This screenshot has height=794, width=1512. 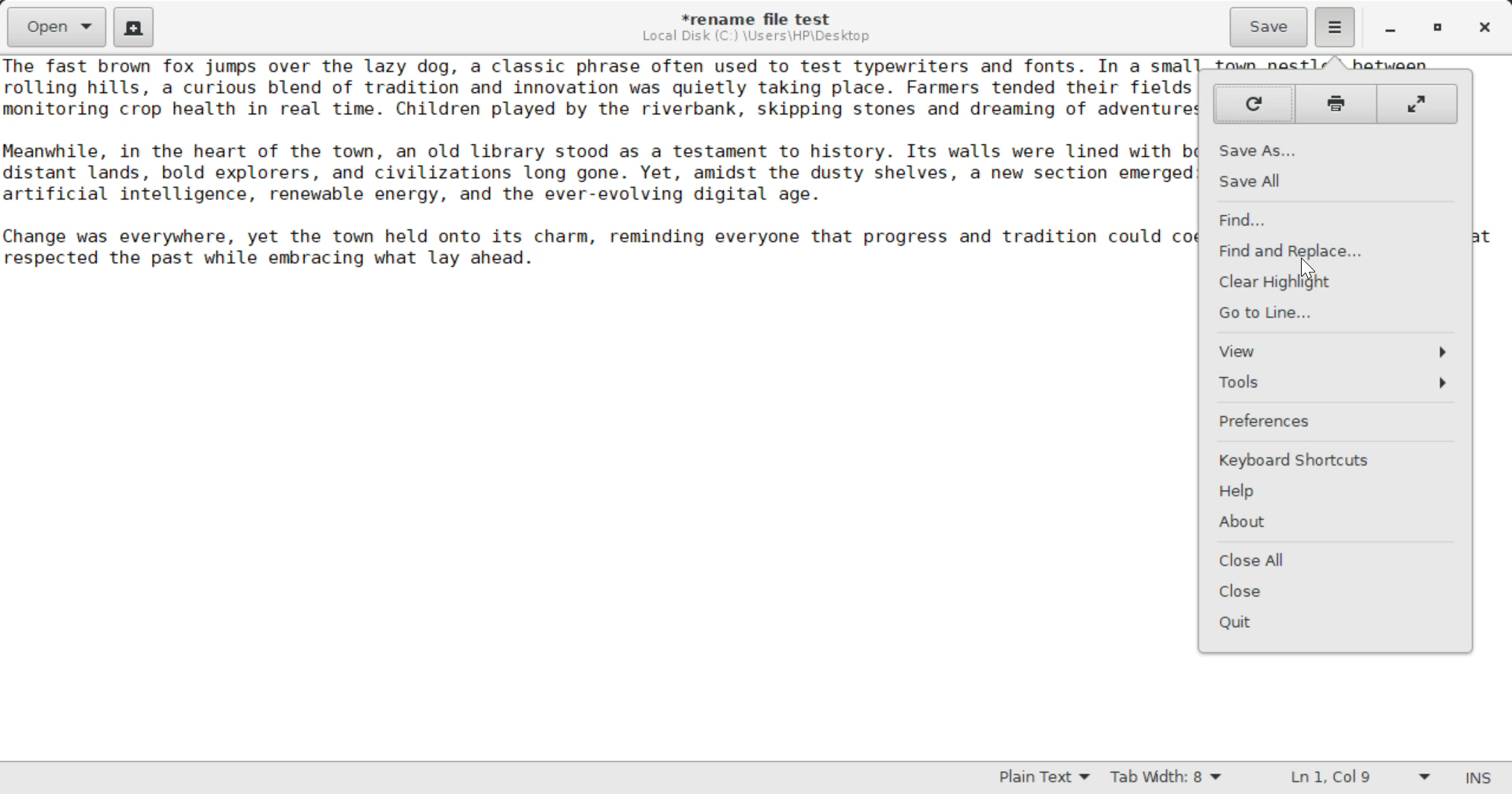 I want to click on Open Document, so click(x=54, y=27).